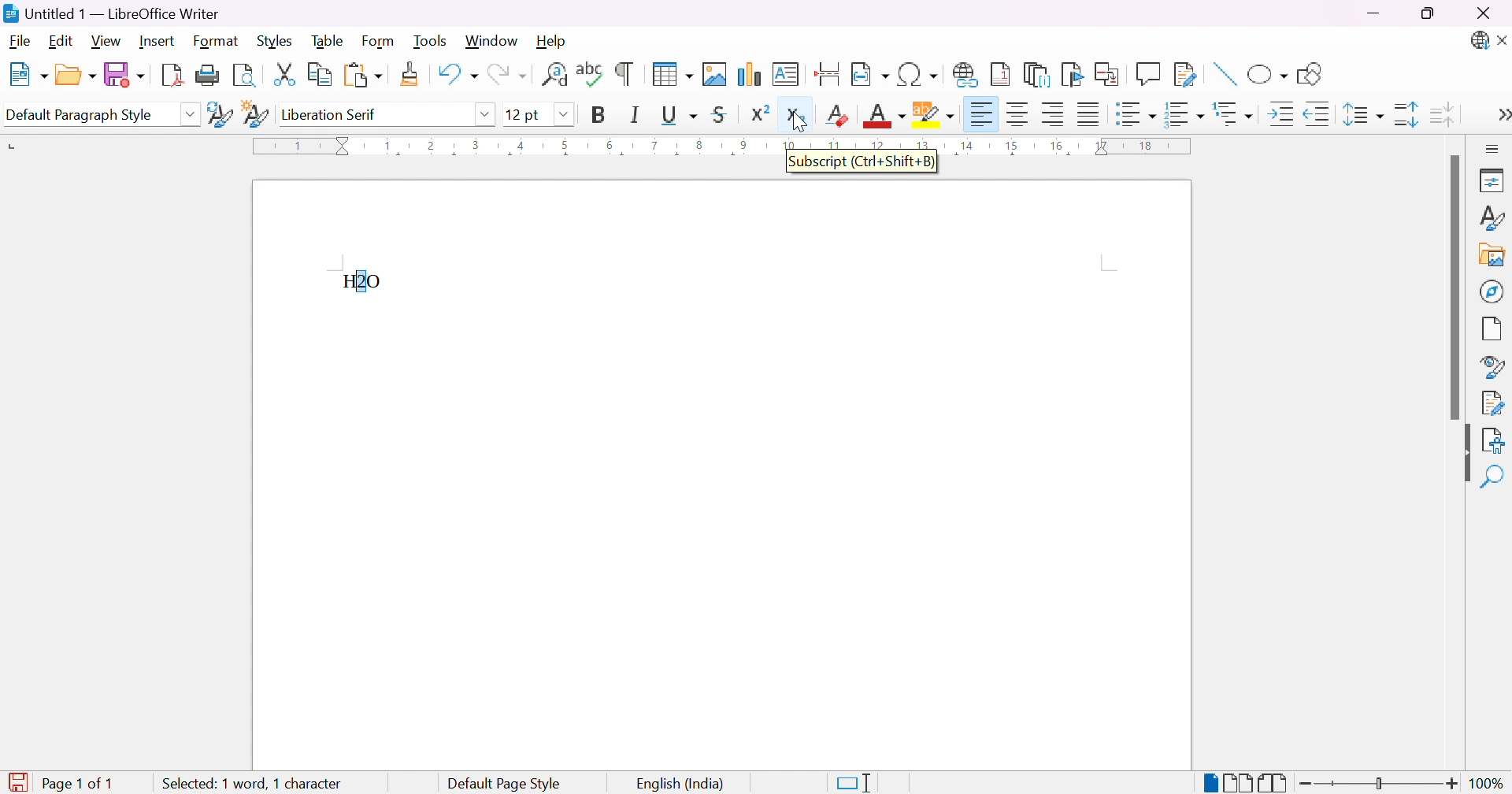  Describe the element at coordinates (678, 114) in the screenshot. I see `Underline` at that location.